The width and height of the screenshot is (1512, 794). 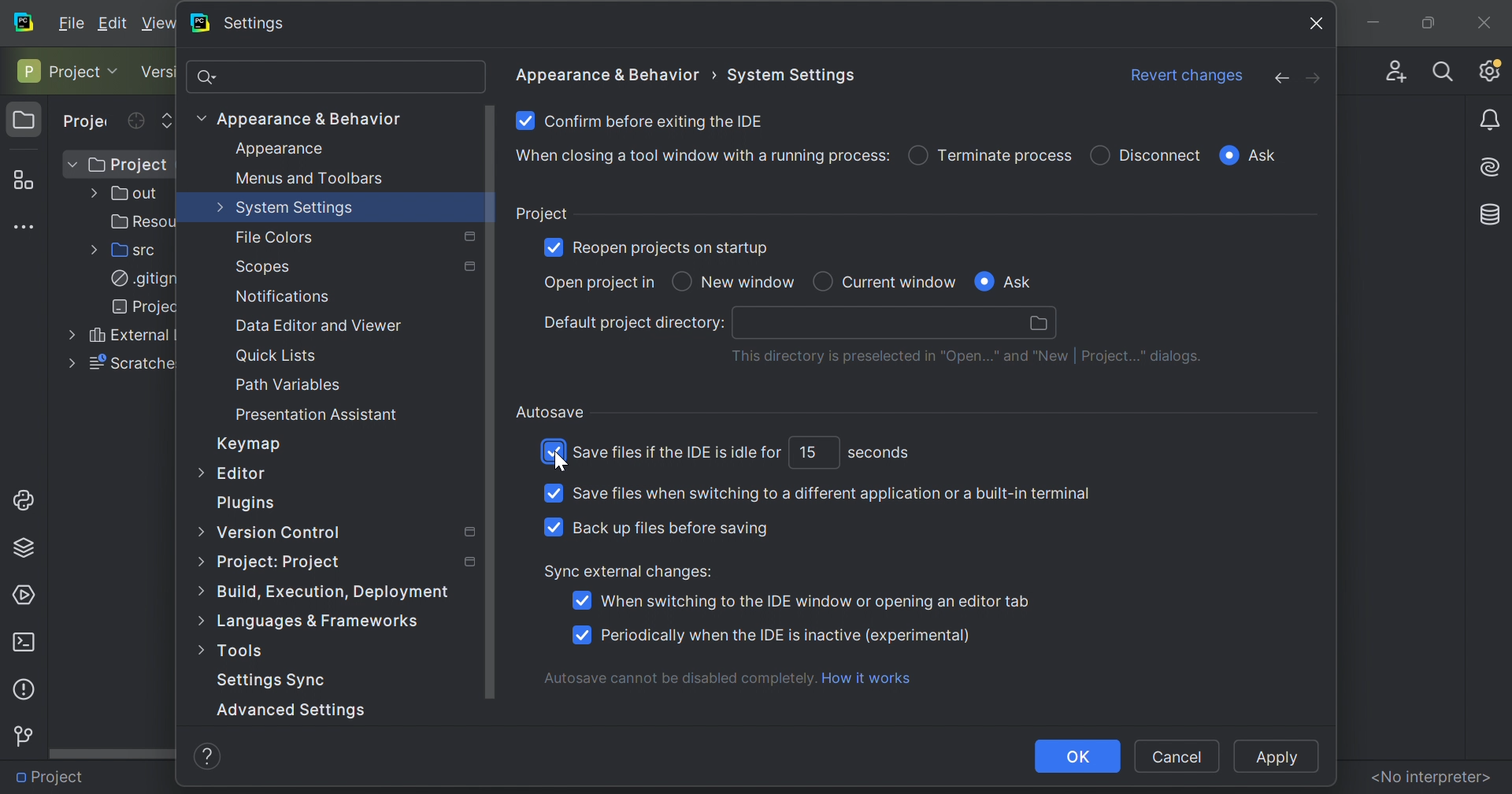 I want to click on Ask, so click(x=1024, y=283).